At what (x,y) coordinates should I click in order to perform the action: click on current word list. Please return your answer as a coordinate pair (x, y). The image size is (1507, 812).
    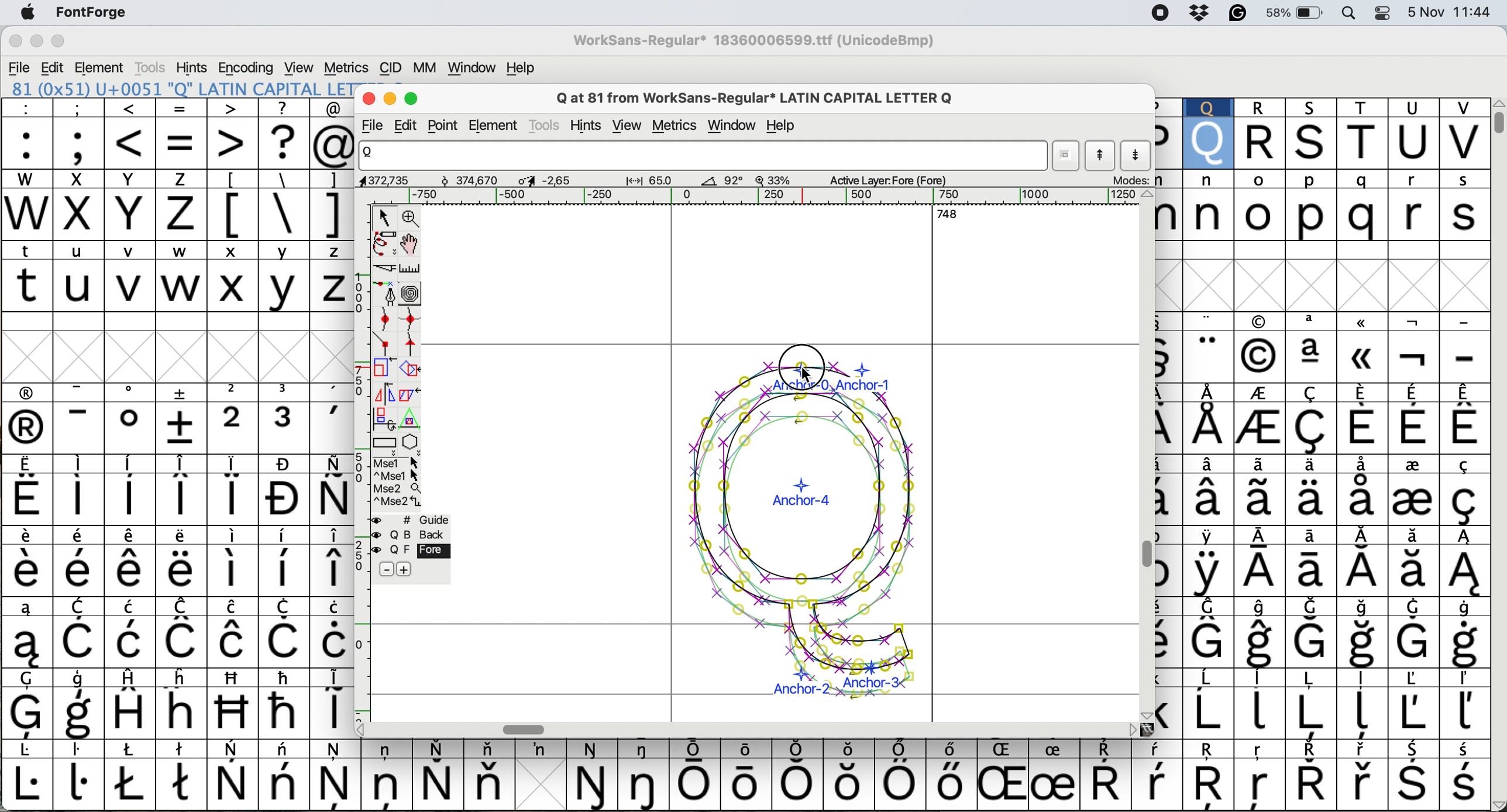
    Looking at the image, I should click on (1066, 156).